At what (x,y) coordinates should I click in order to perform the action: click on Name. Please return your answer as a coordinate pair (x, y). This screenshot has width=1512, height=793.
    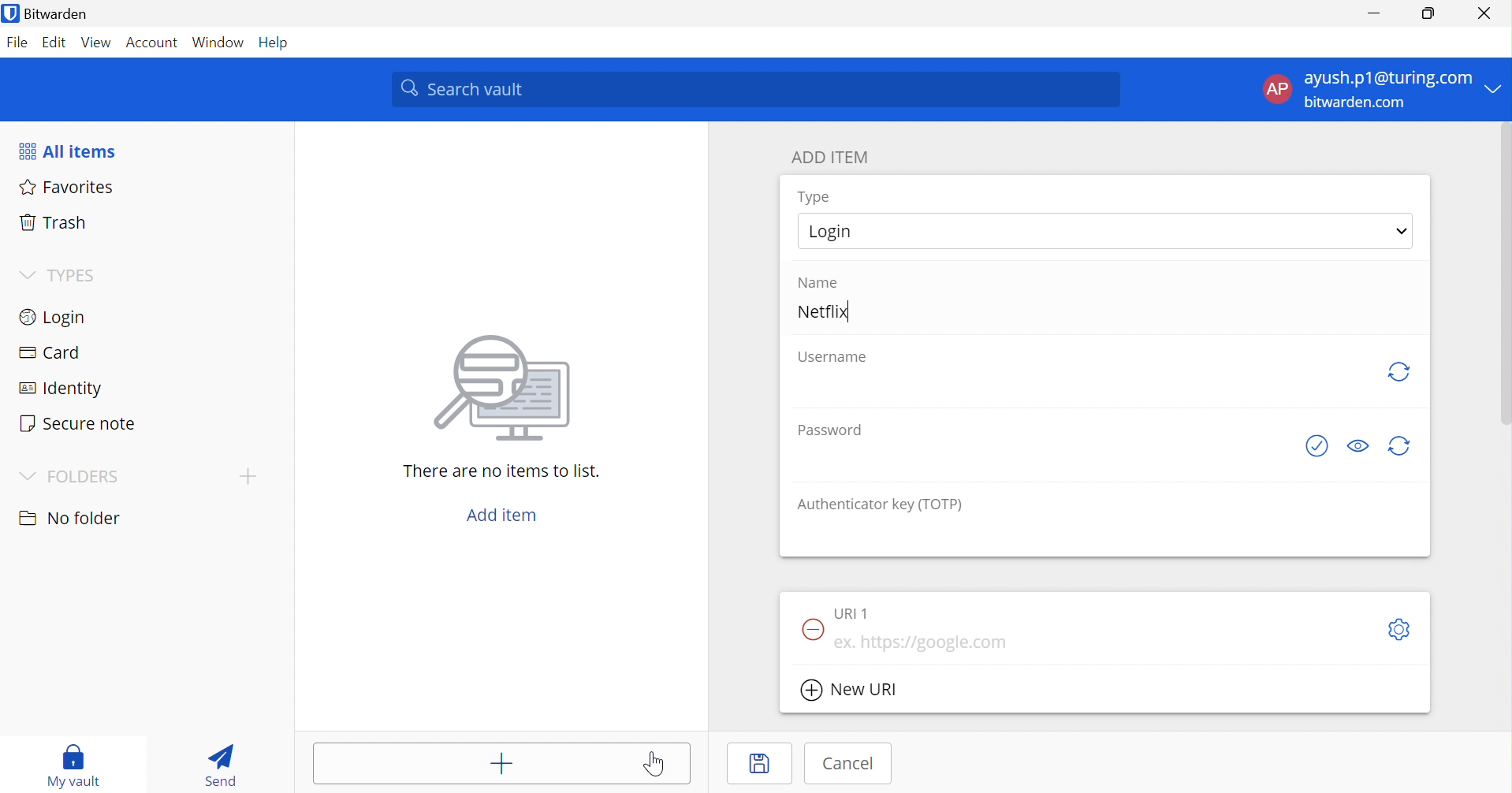
    Looking at the image, I should click on (818, 282).